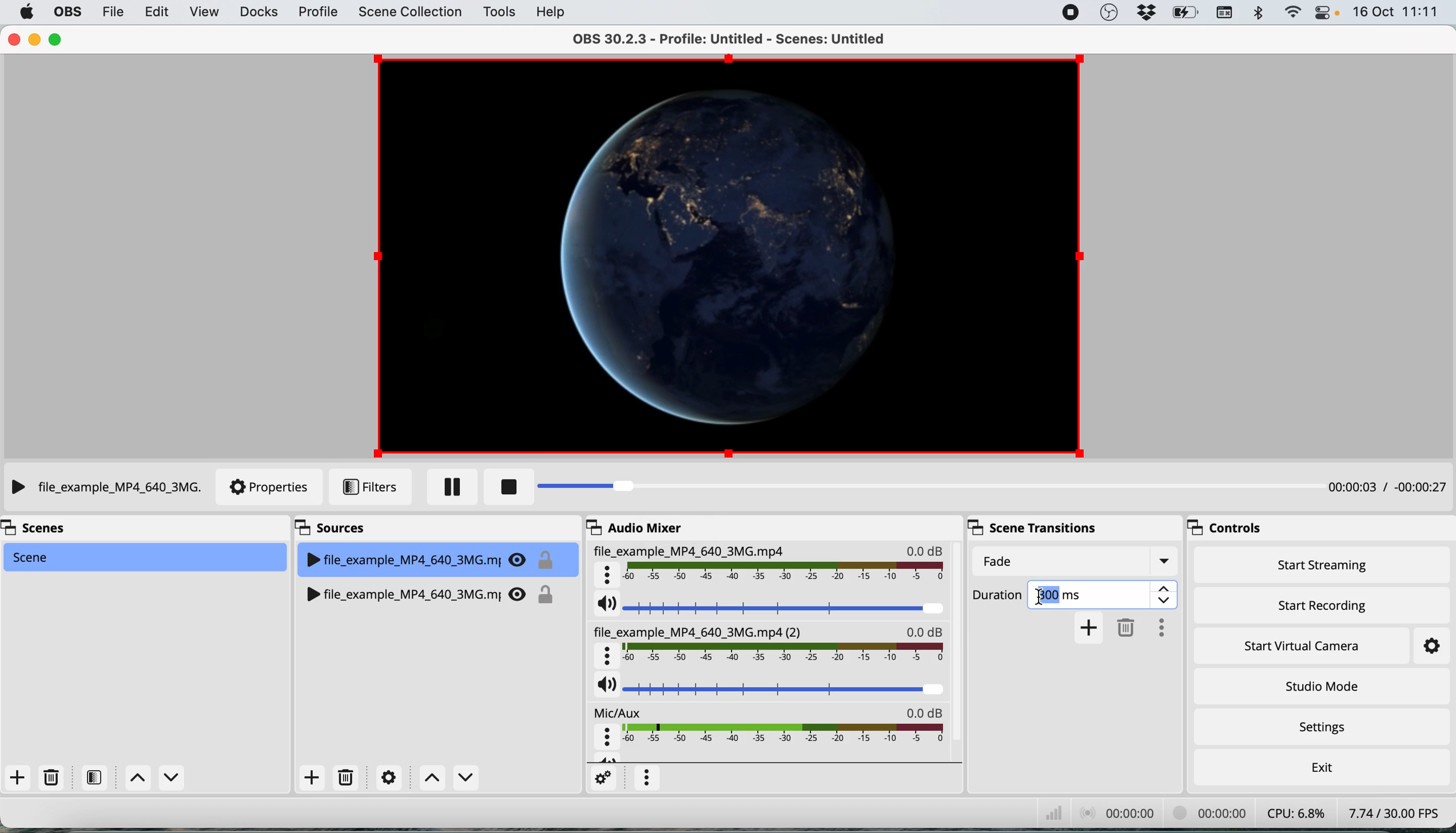  What do you see at coordinates (773, 568) in the screenshot?
I see `current source audio` at bounding box center [773, 568].